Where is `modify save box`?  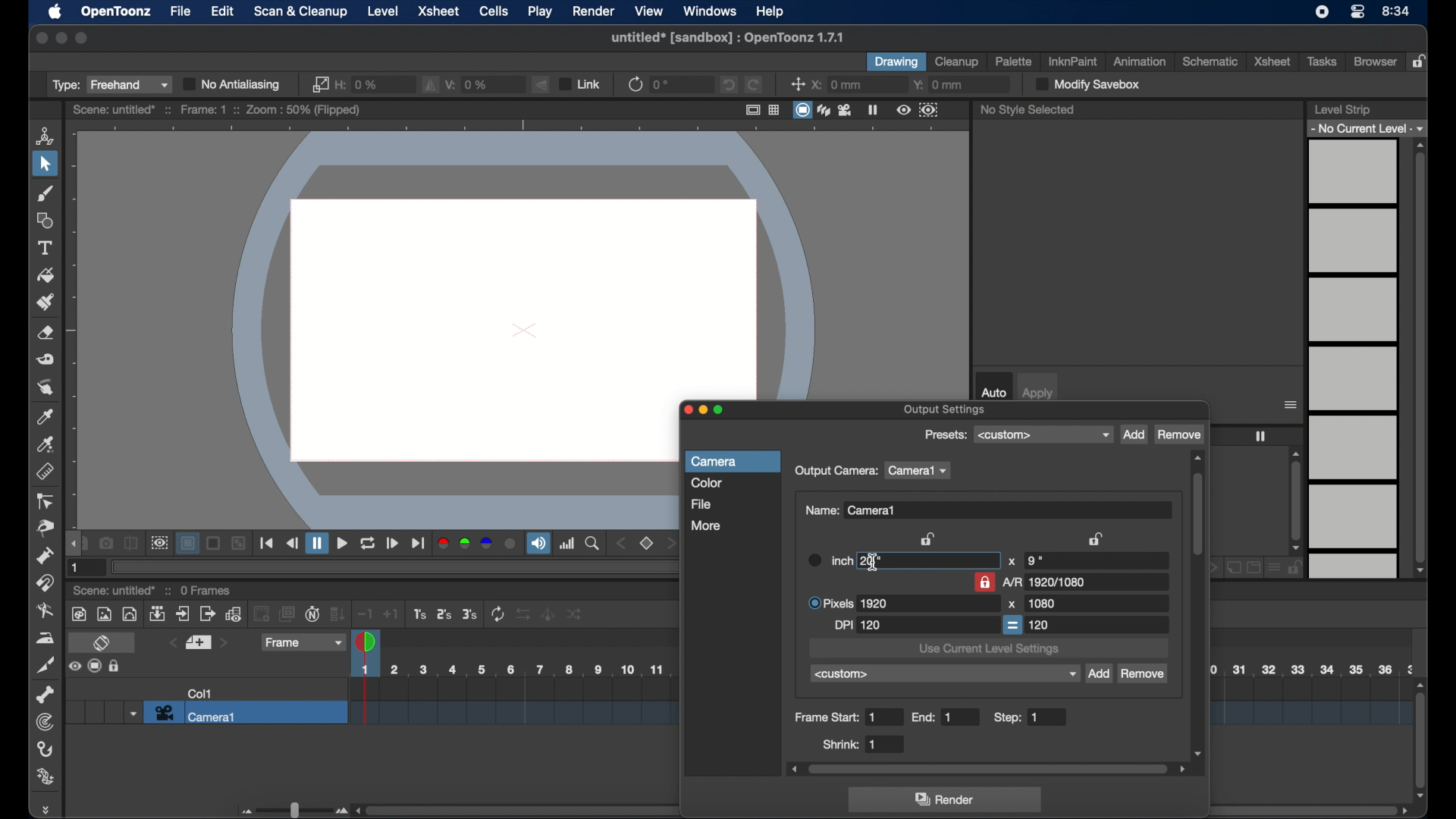
modify save box is located at coordinates (1086, 84).